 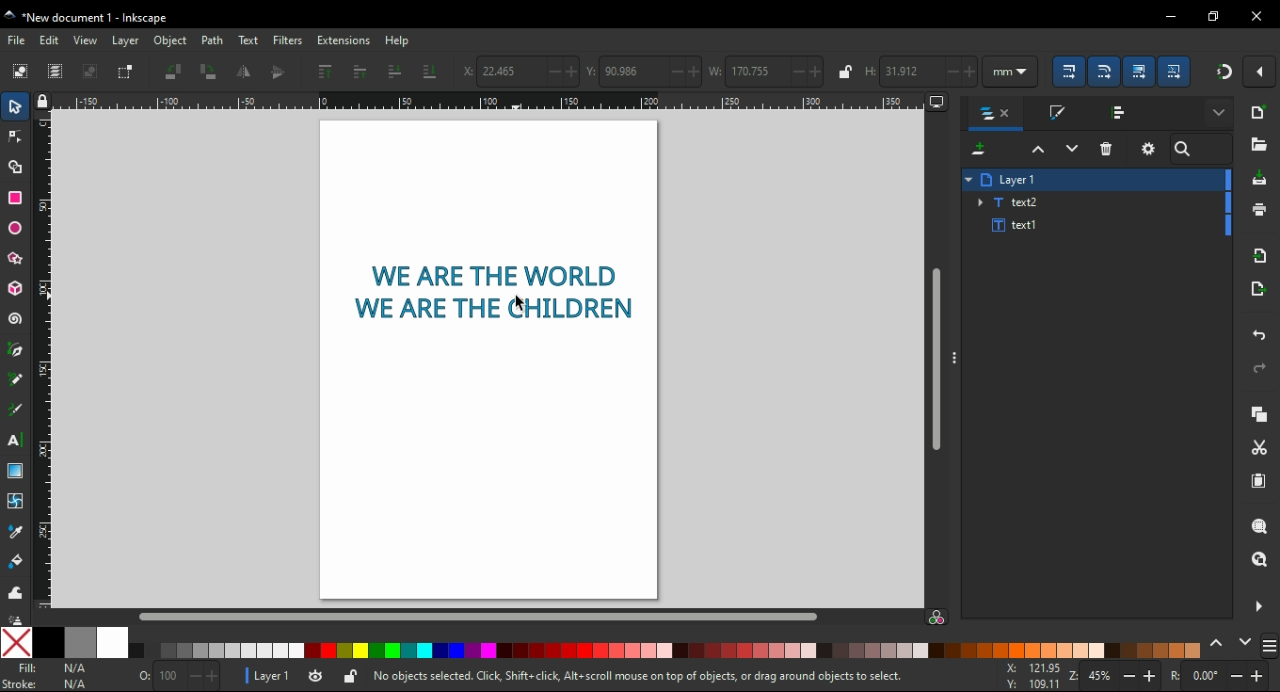 What do you see at coordinates (52, 683) in the screenshot?
I see `stoke not applicable` at bounding box center [52, 683].